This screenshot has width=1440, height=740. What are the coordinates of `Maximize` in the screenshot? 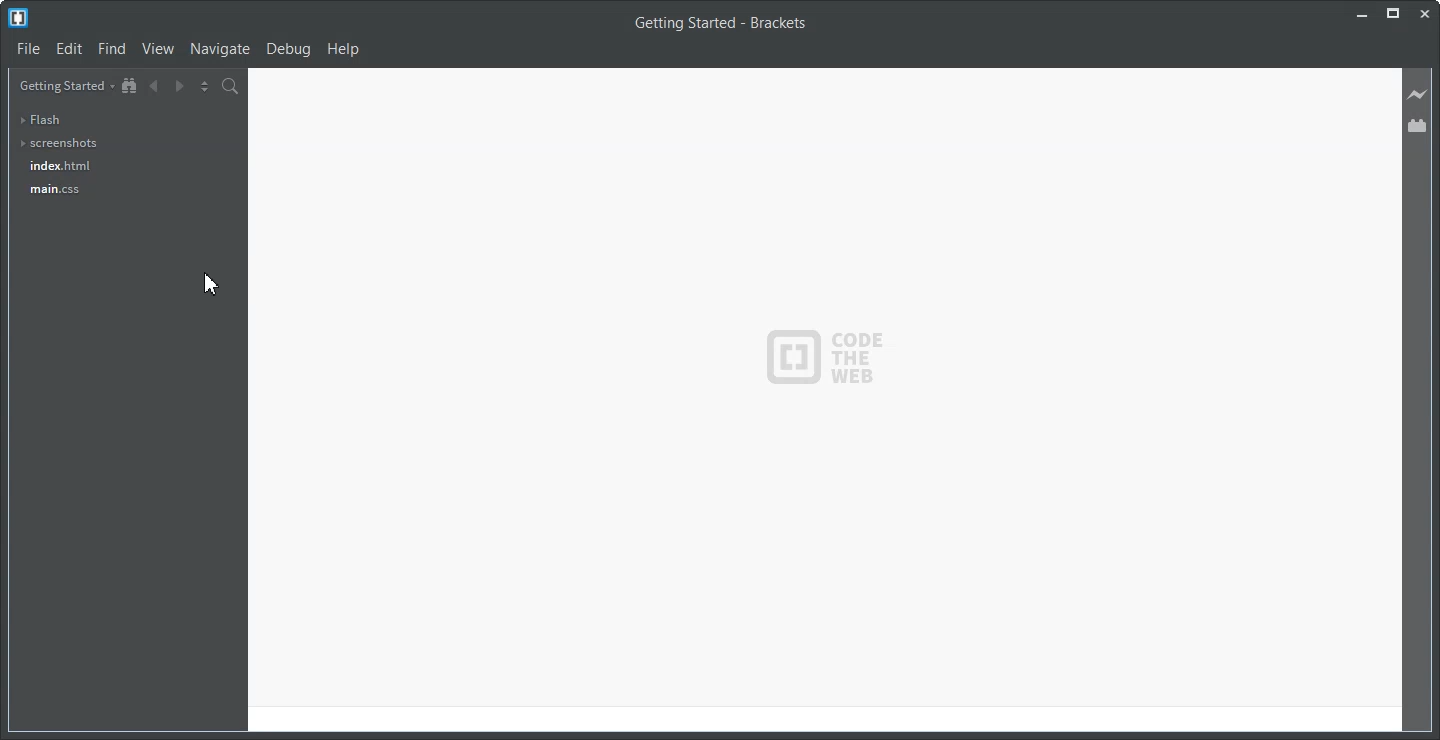 It's located at (1393, 14).